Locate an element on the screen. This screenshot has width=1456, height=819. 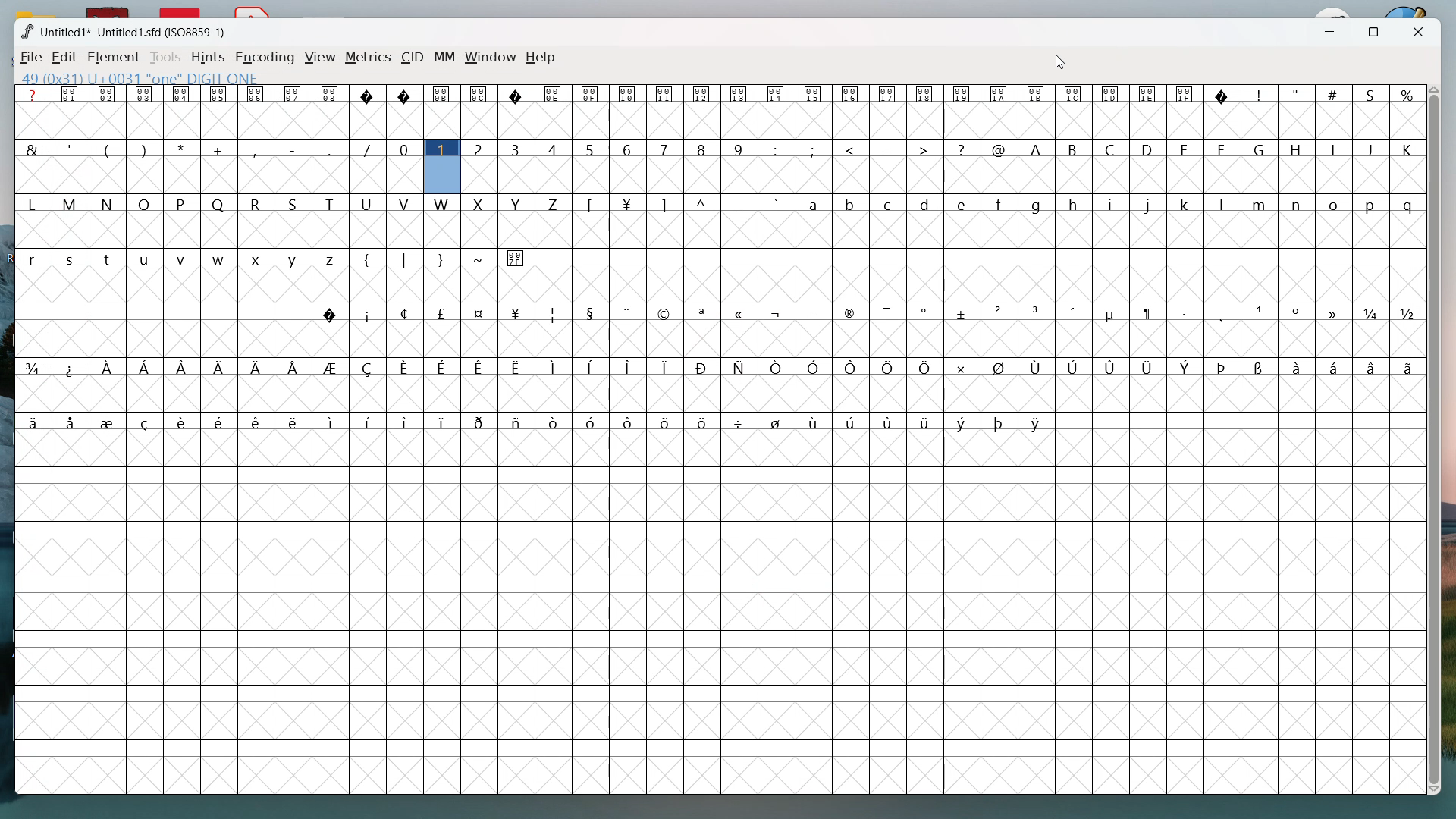
symbol is located at coordinates (258, 366).